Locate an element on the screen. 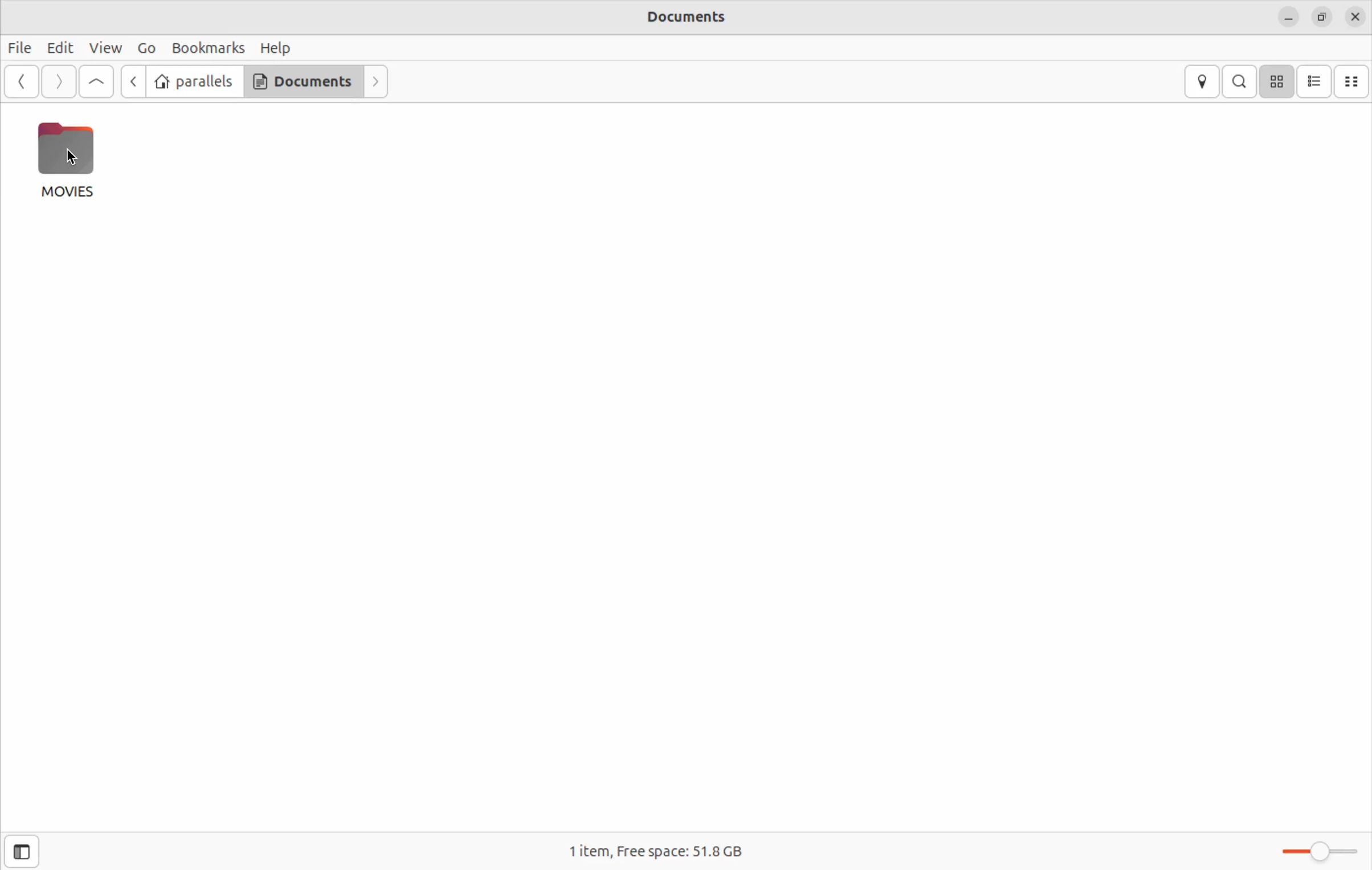 The width and height of the screenshot is (1372, 870). Forward is located at coordinates (378, 83).